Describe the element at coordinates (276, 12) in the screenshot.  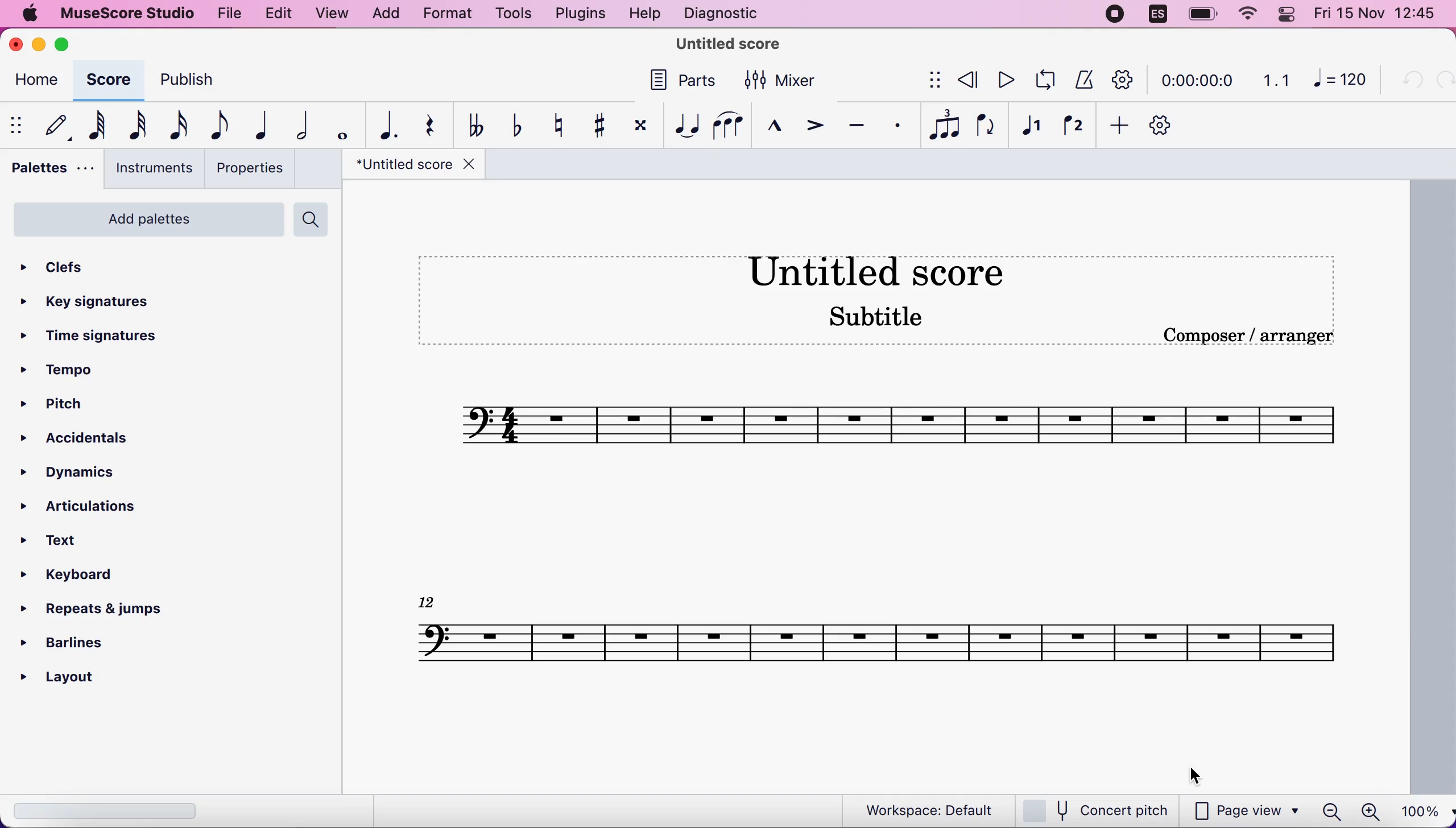
I see `edit` at that location.